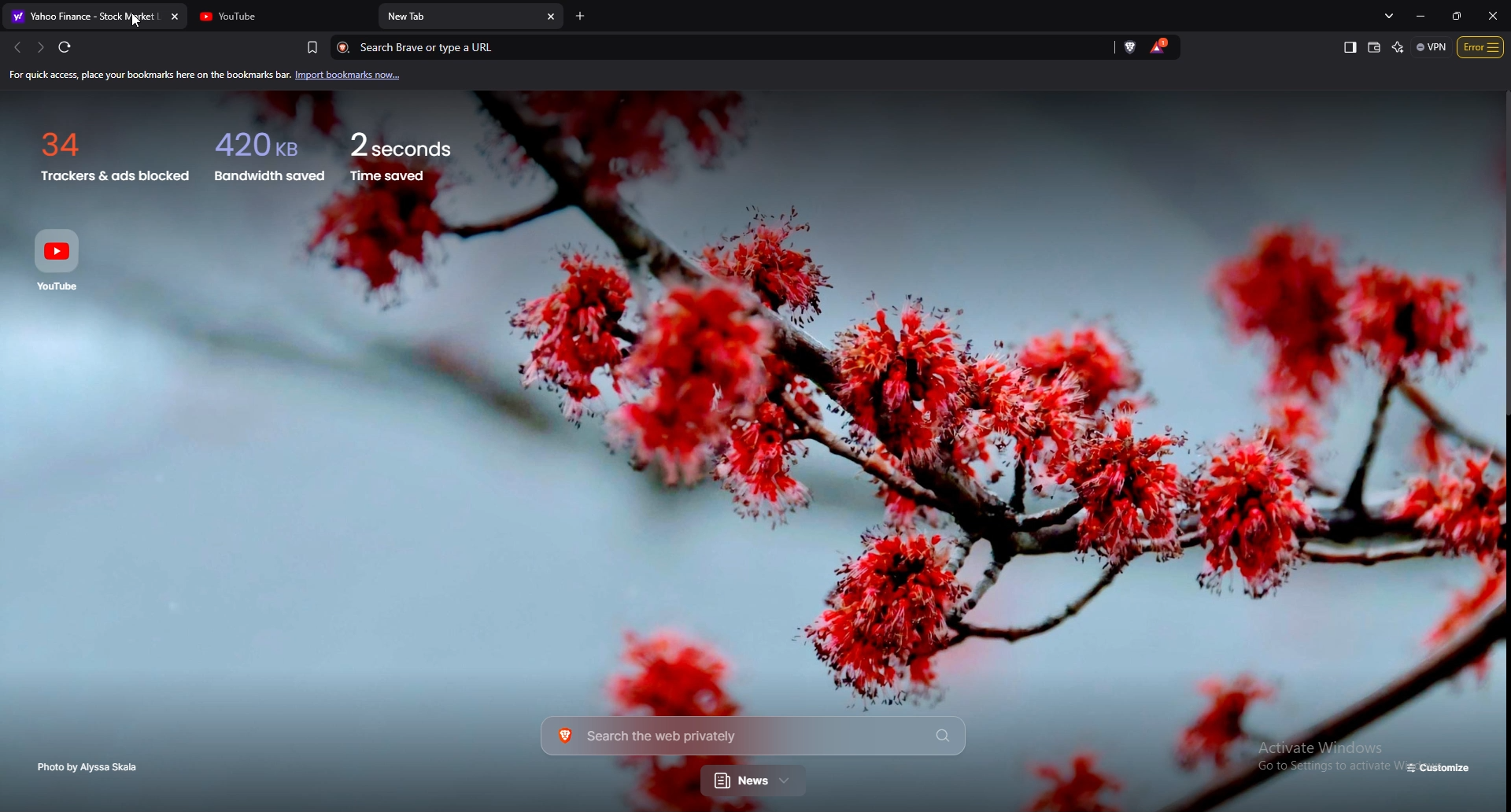  What do you see at coordinates (1375, 47) in the screenshot?
I see `wallet` at bounding box center [1375, 47].